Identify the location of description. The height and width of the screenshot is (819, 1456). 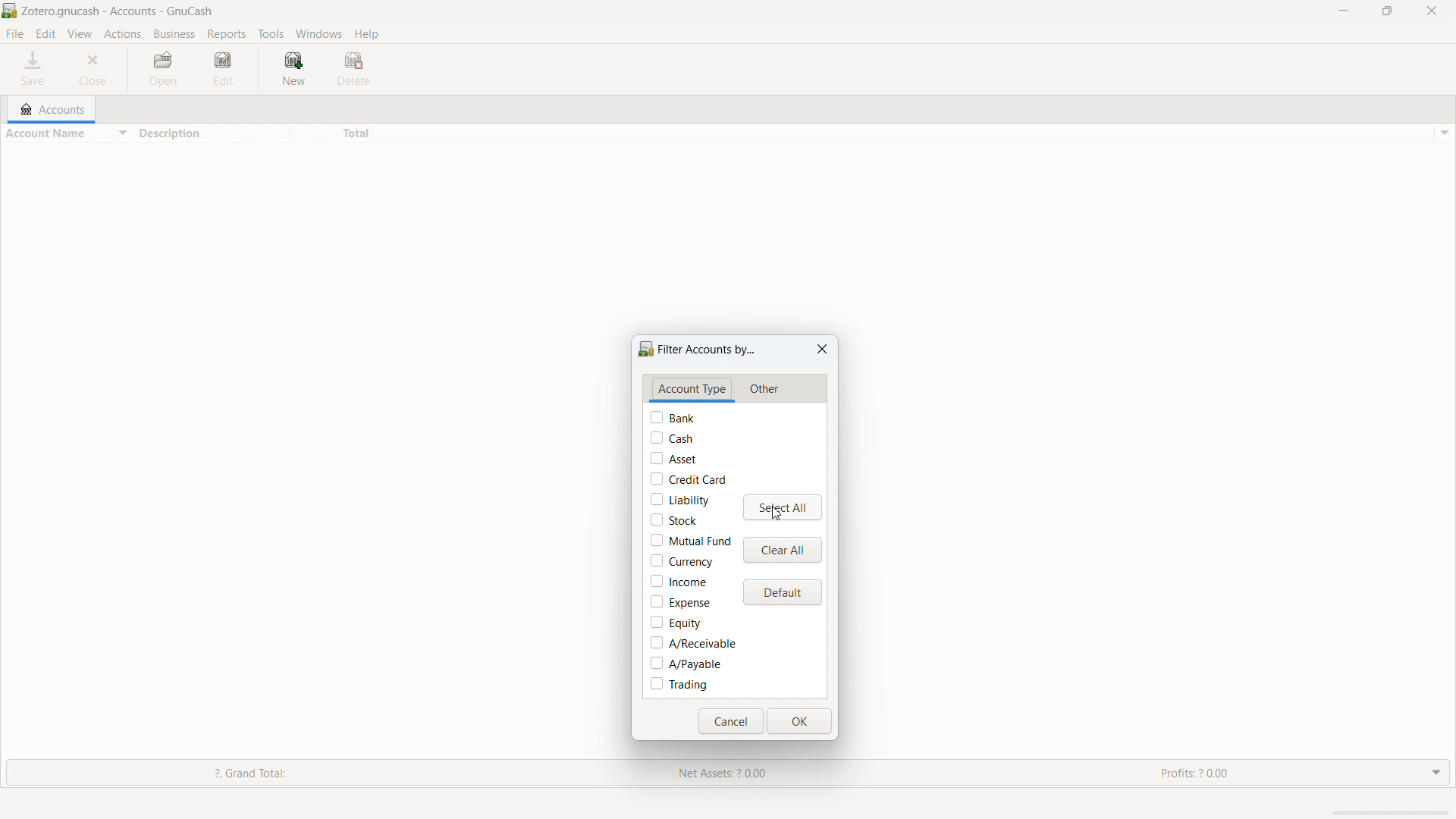
(208, 133).